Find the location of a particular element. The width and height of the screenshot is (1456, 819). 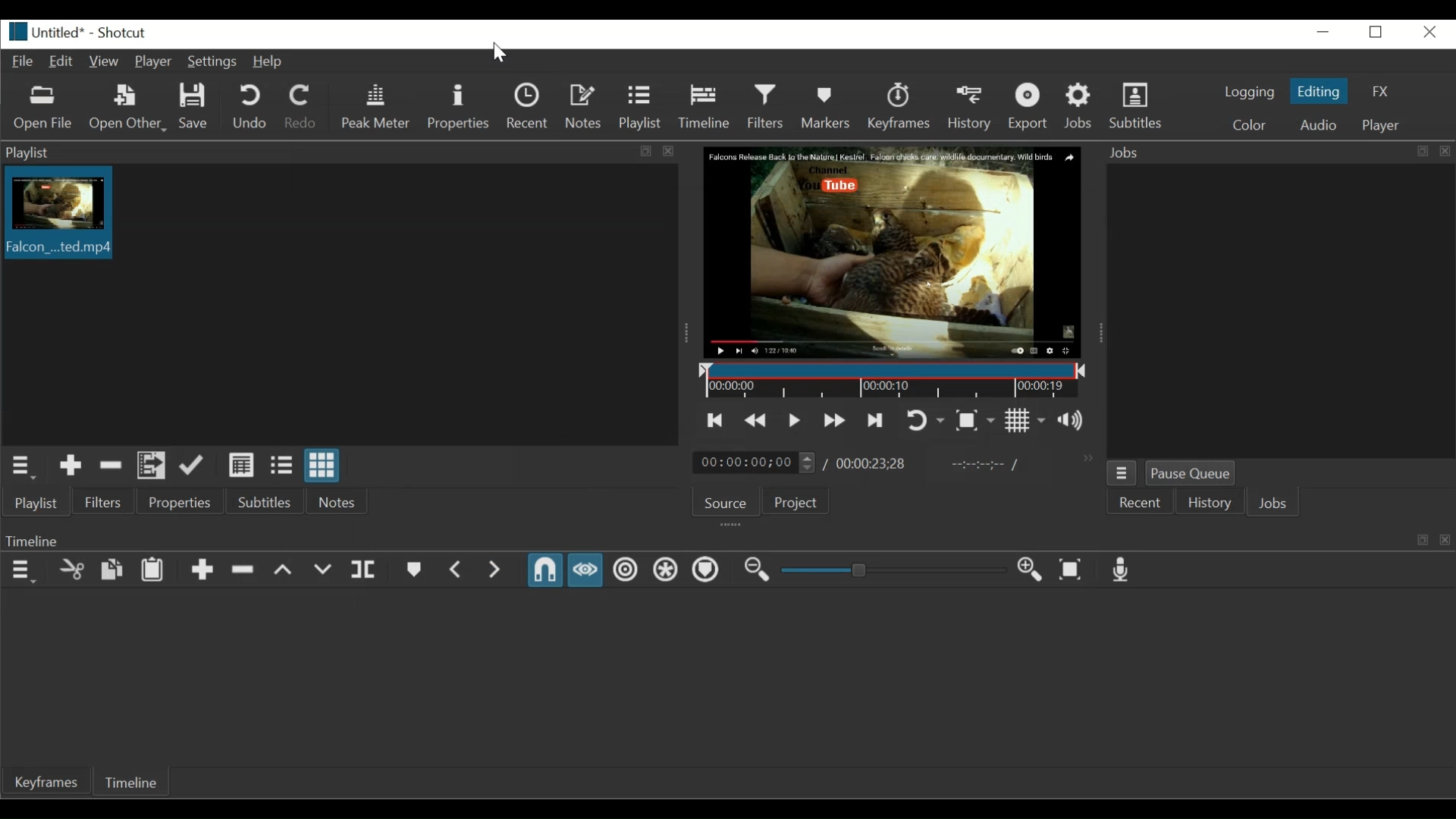

Skip to the next point is located at coordinates (874, 420).